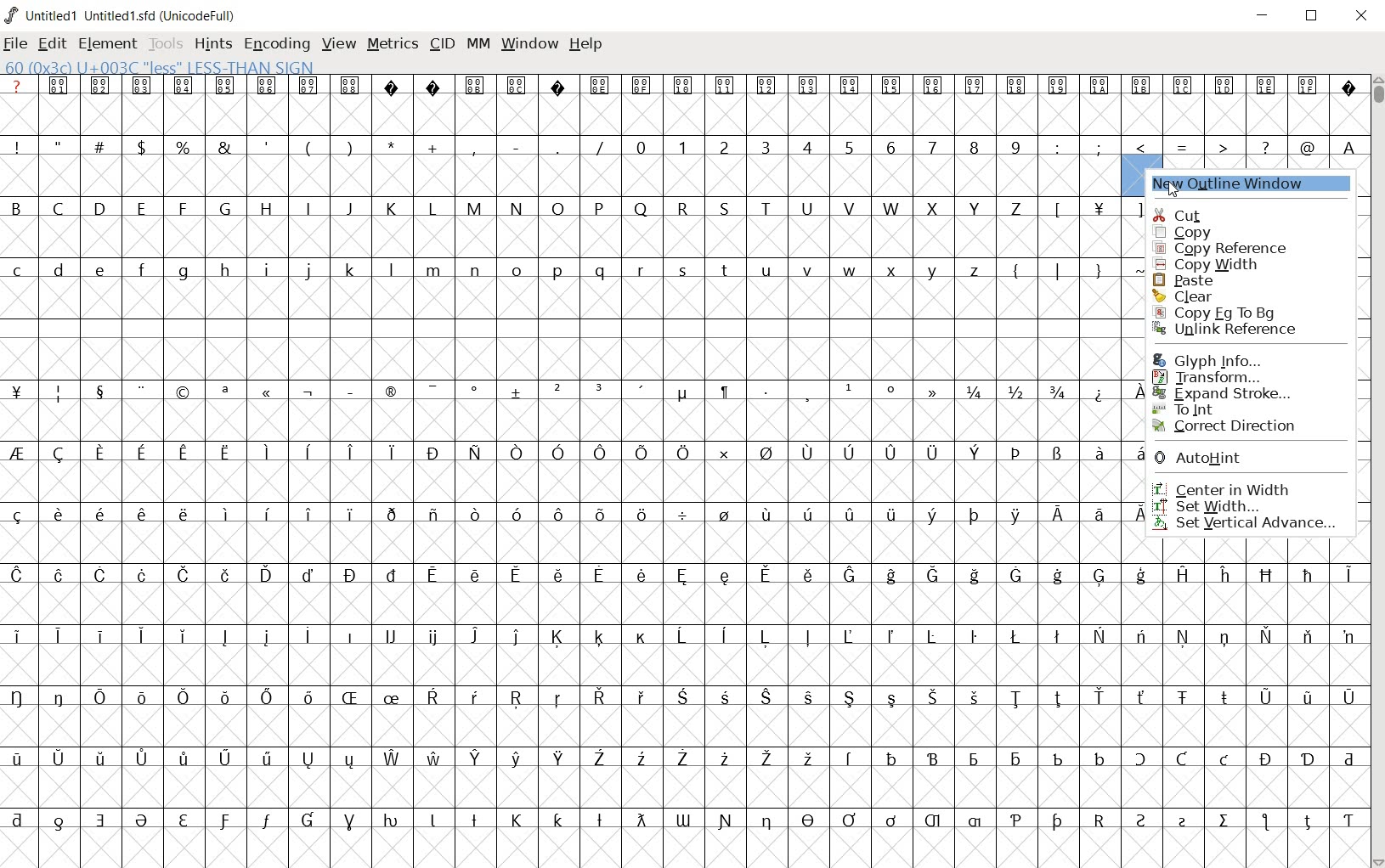 Image resolution: width=1385 pixels, height=868 pixels. I want to click on encoding, so click(274, 42).